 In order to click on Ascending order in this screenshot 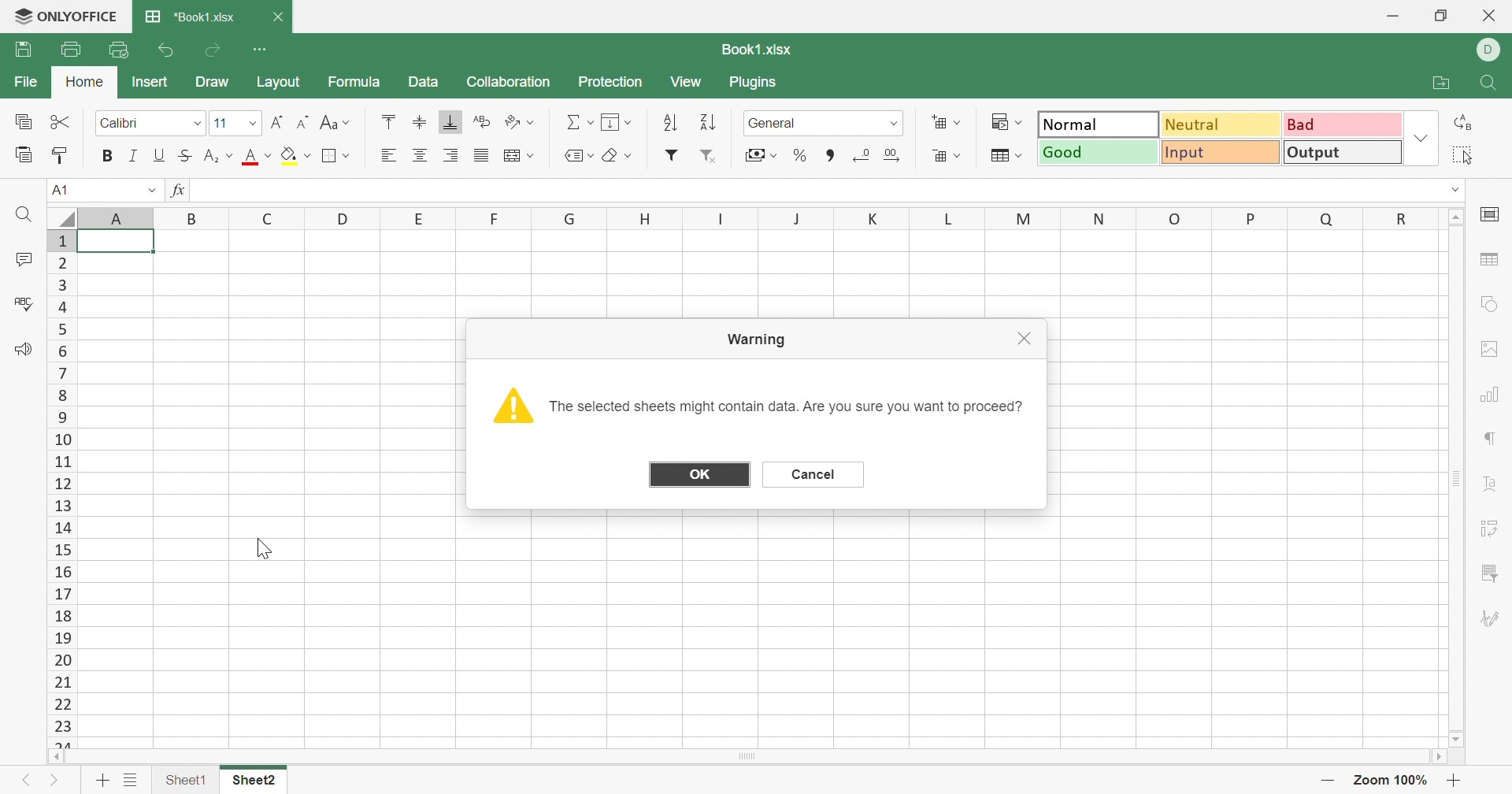, I will do `click(667, 123)`.